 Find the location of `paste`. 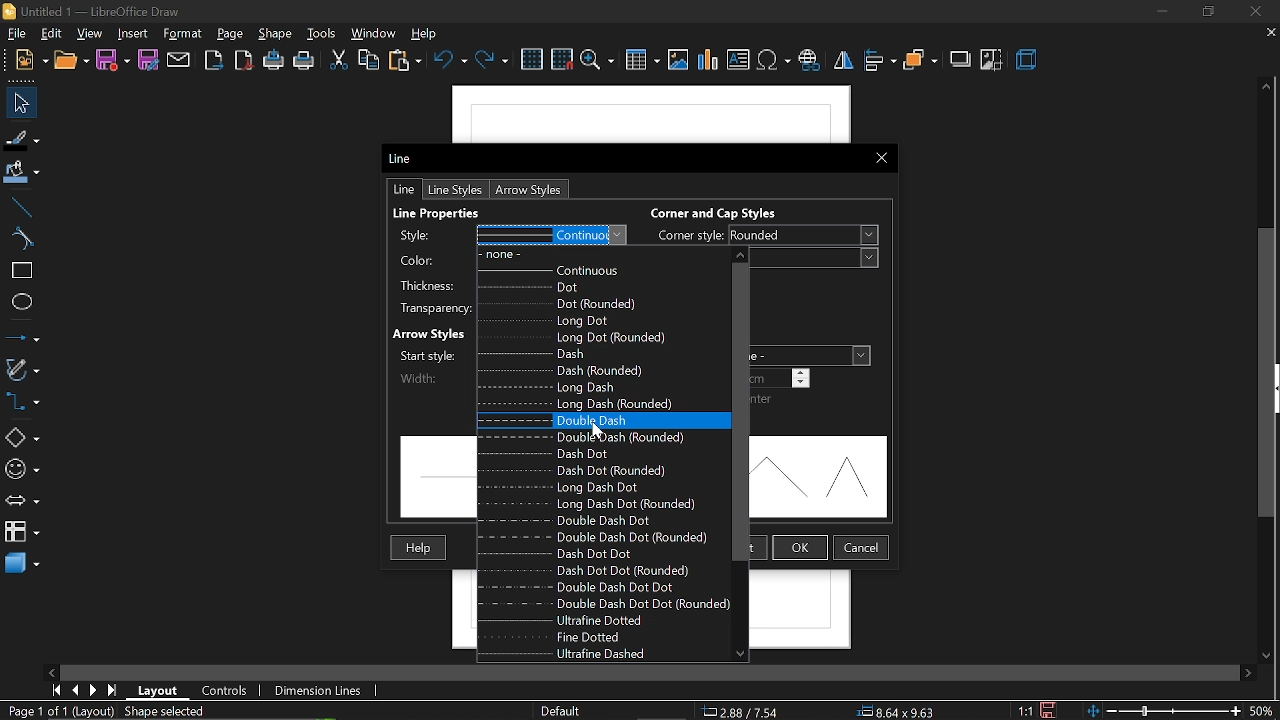

paste is located at coordinates (404, 63).